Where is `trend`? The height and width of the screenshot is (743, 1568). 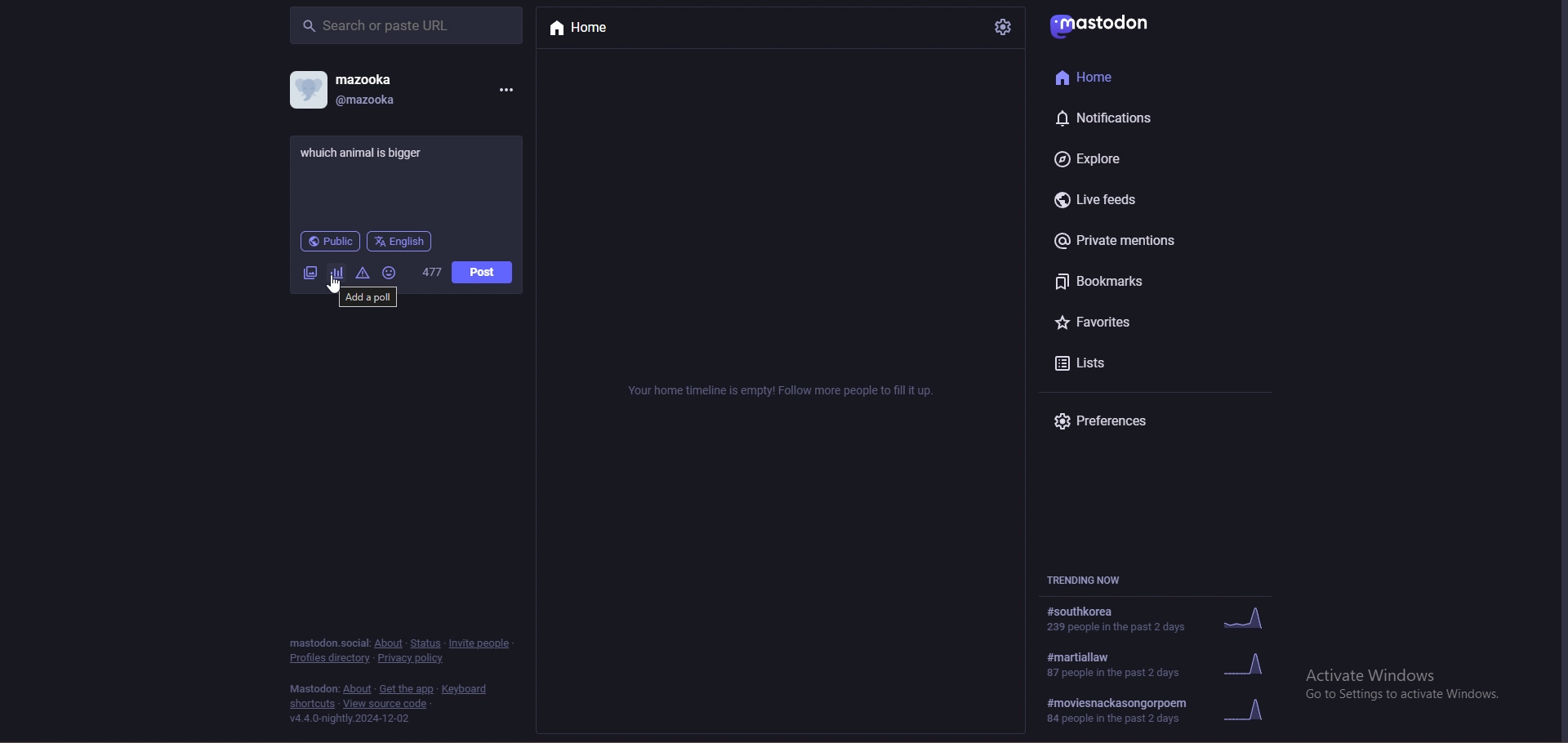 trend is located at coordinates (1162, 617).